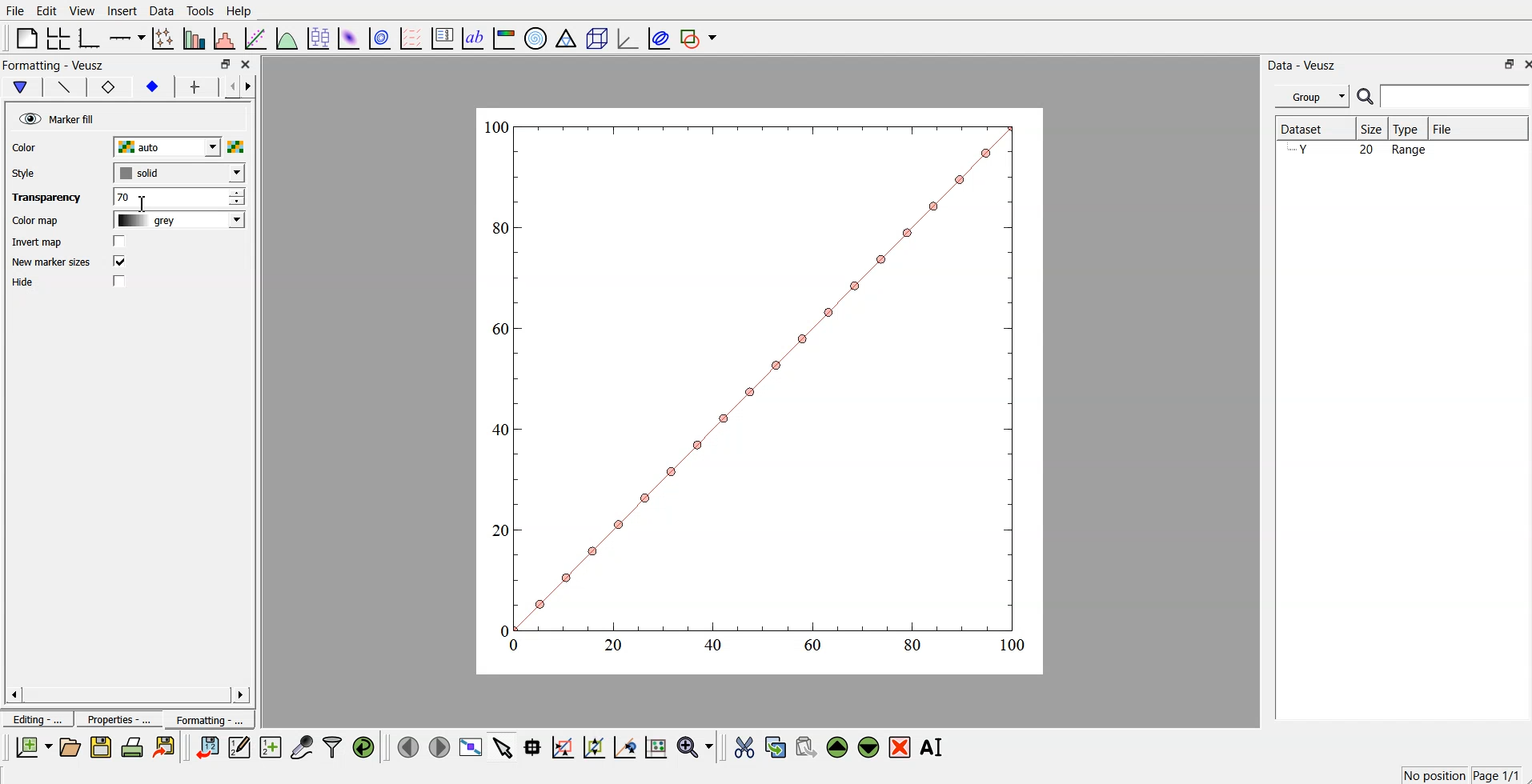  Describe the element at coordinates (127, 37) in the screenshot. I see `add an axis to the plot` at that location.